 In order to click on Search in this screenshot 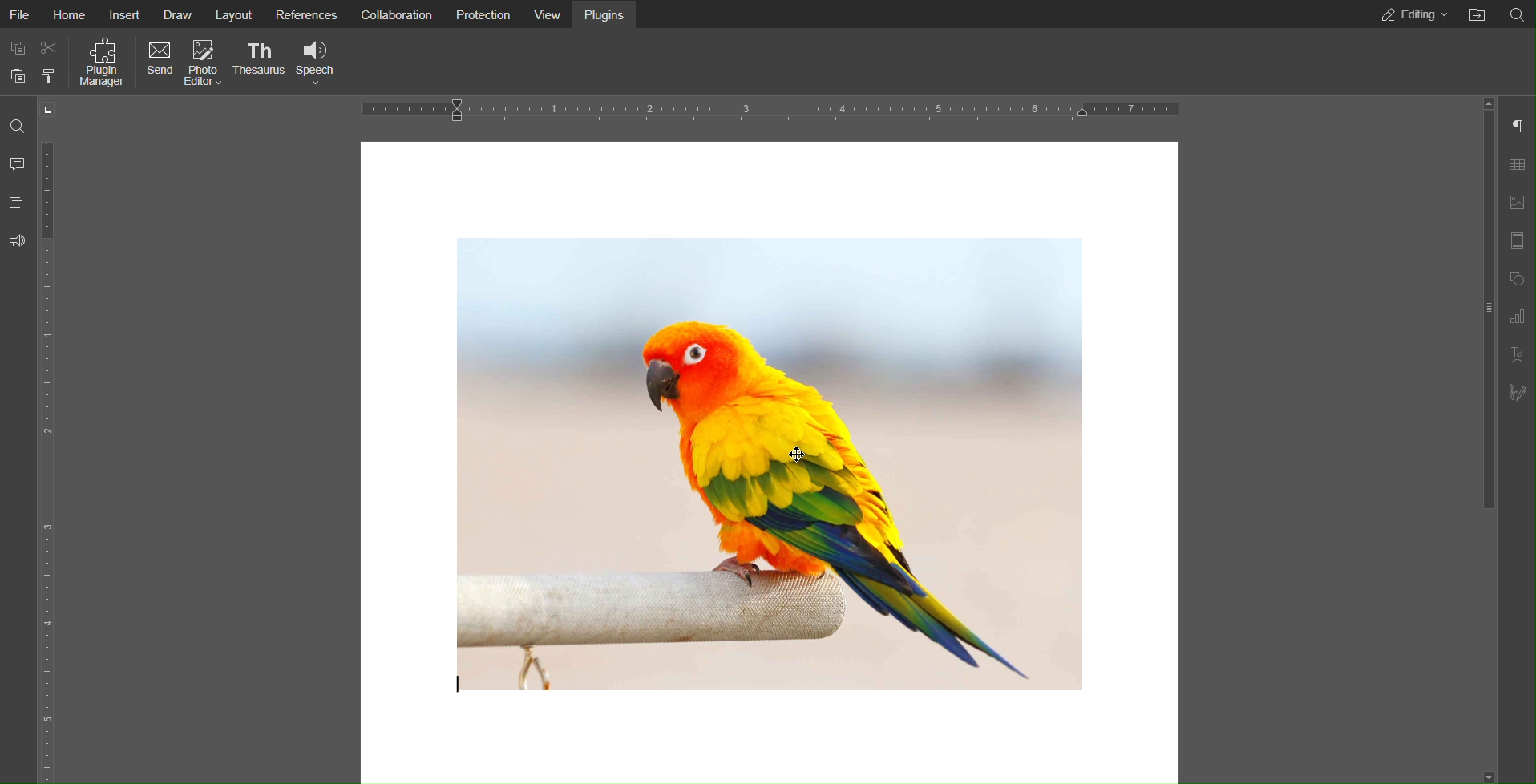, I will do `click(1518, 14)`.